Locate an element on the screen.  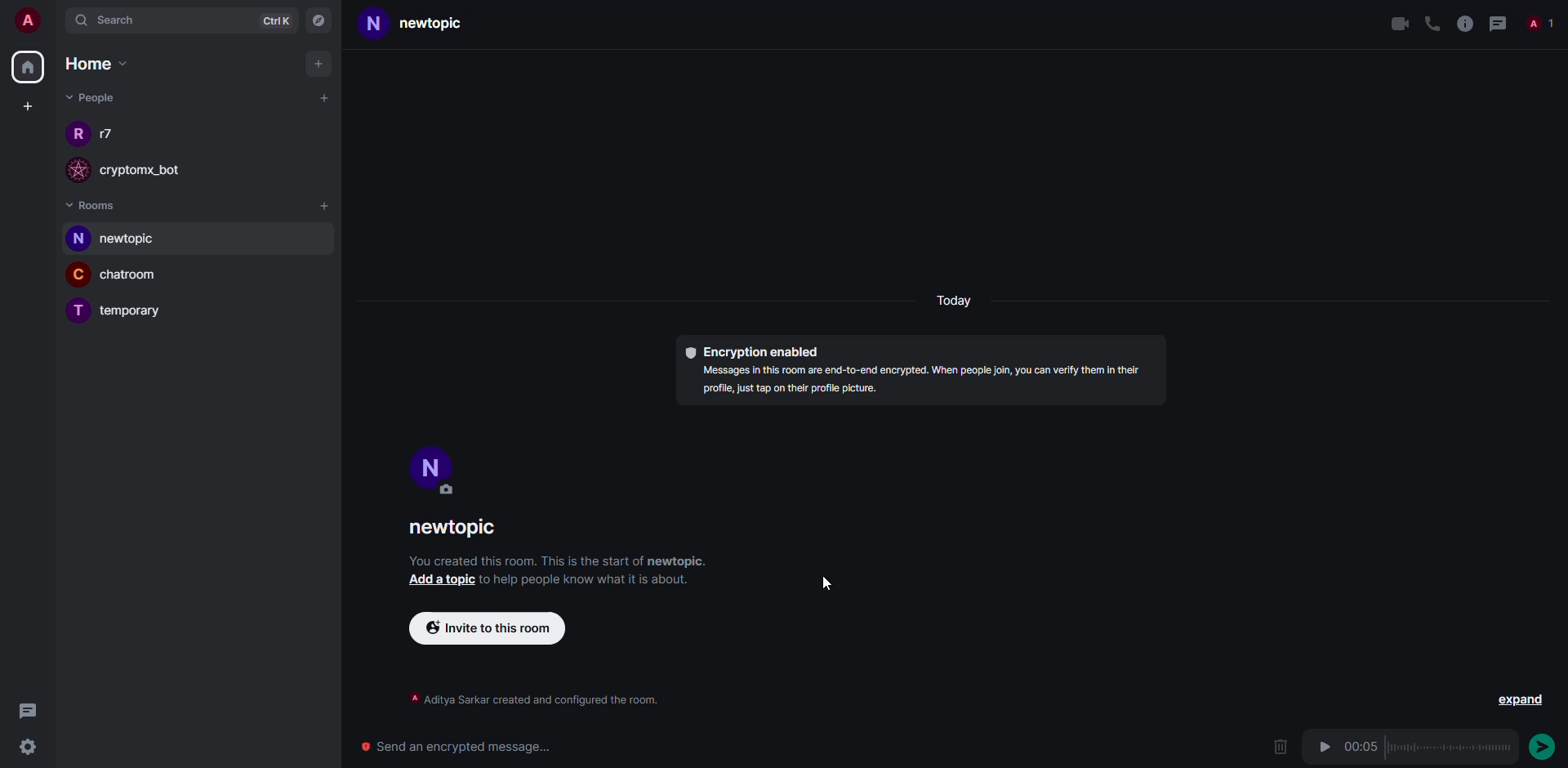
threads is located at coordinates (27, 710).